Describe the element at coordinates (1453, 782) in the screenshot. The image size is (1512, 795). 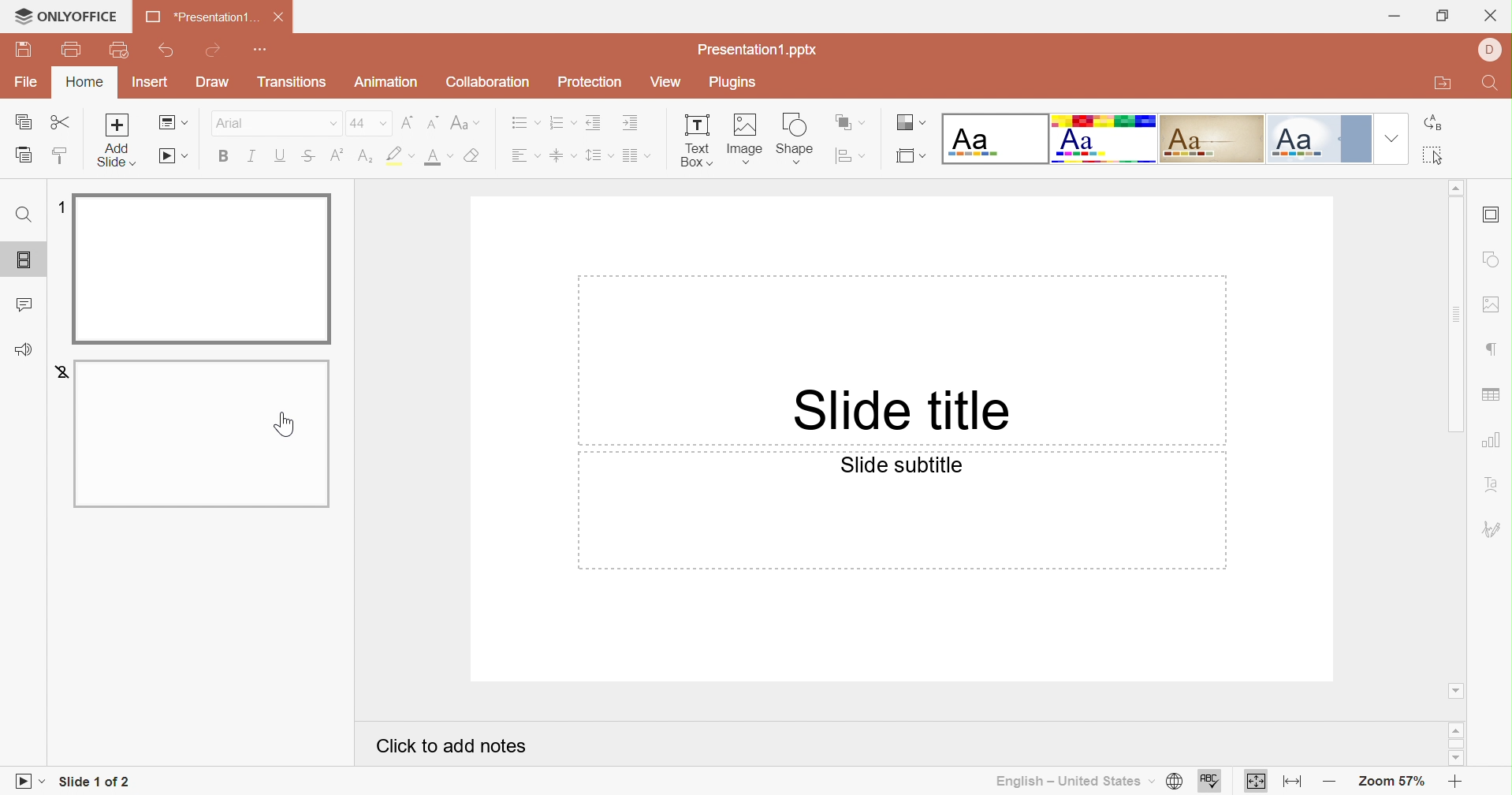
I see `Zoom in` at that location.